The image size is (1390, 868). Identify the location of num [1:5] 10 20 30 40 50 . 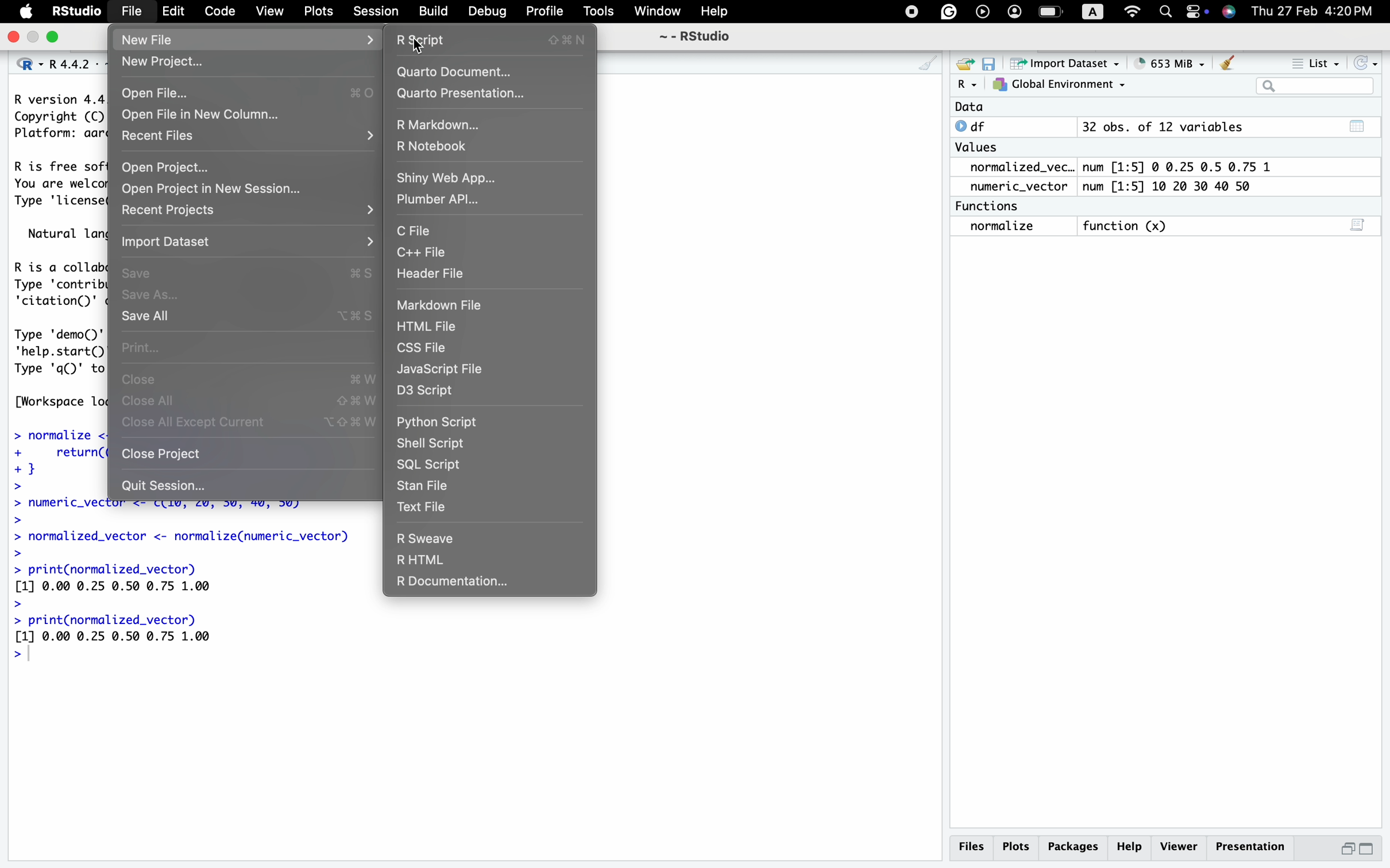
(1172, 187).